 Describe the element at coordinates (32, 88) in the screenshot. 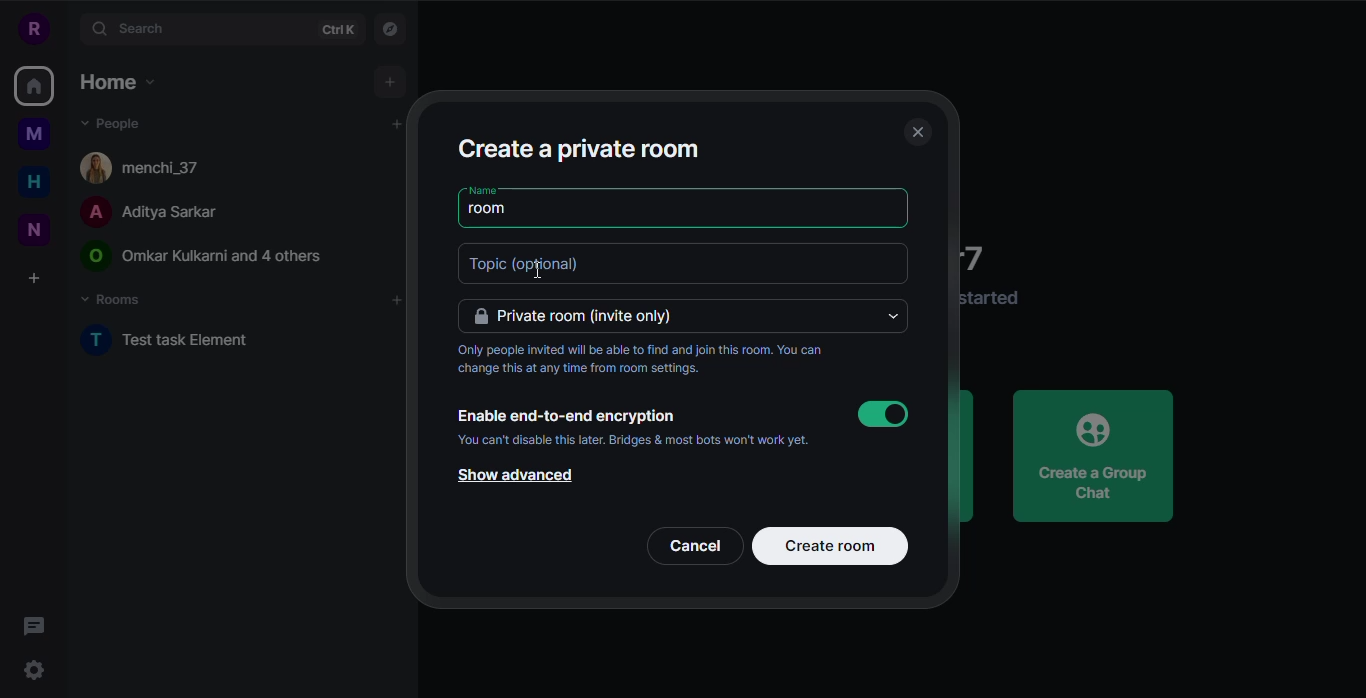

I see `home` at that location.